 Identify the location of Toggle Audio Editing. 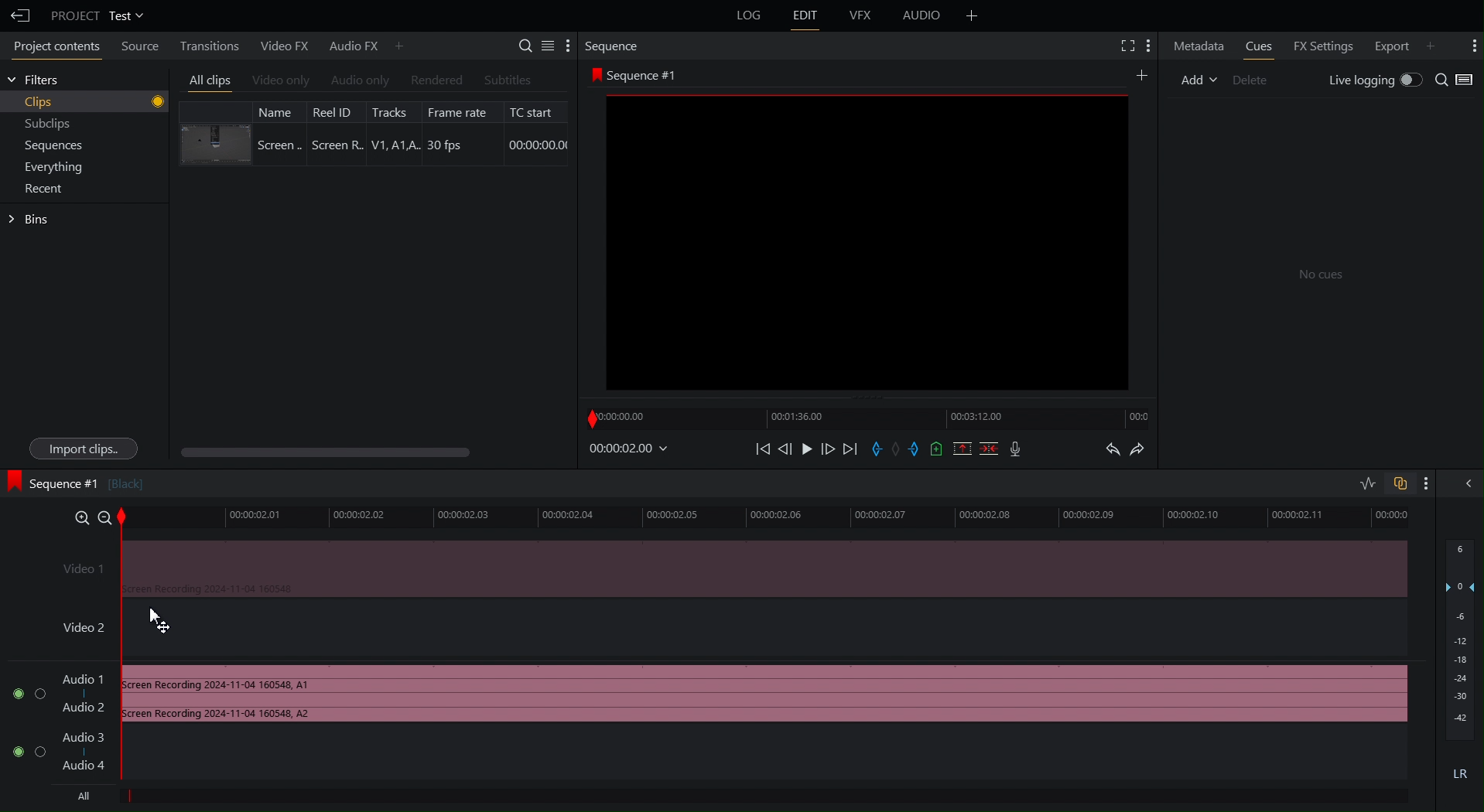
(1363, 481).